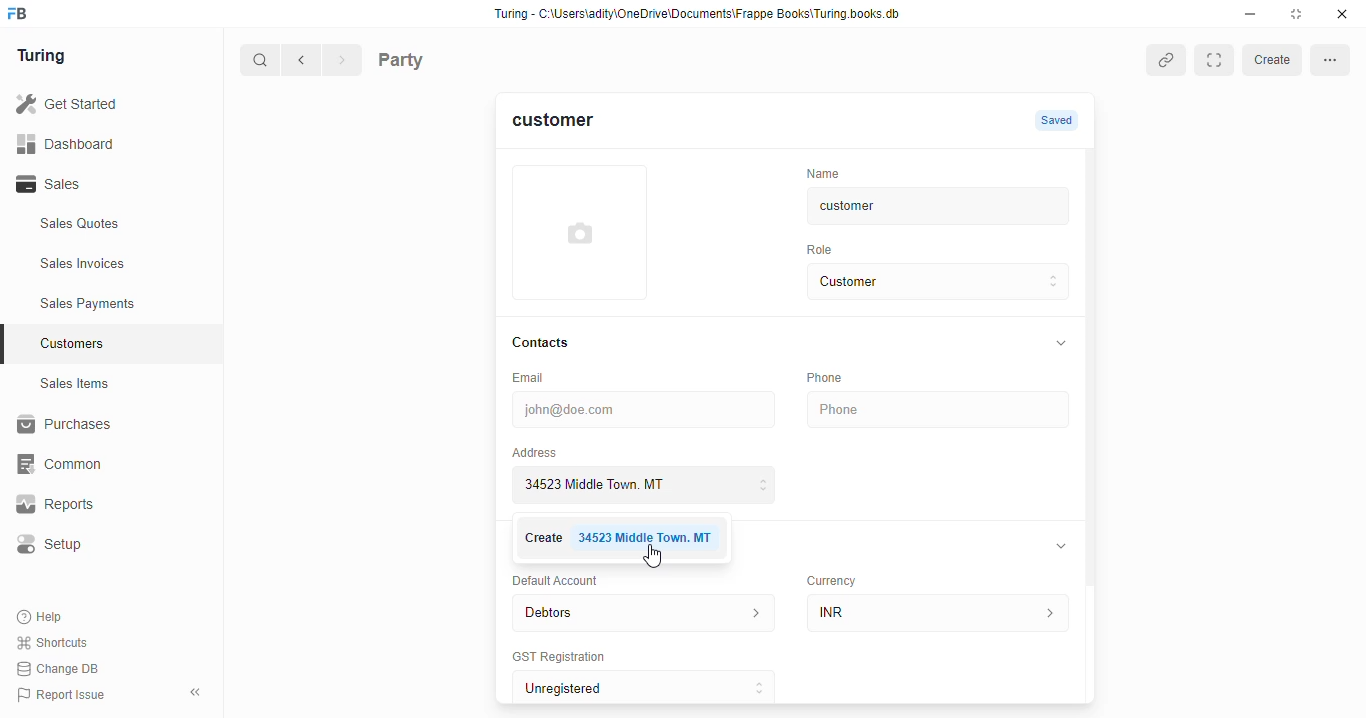 This screenshot has width=1366, height=718. Describe the element at coordinates (117, 264) in the screenshot. I see `Sales Invoices` at that location.